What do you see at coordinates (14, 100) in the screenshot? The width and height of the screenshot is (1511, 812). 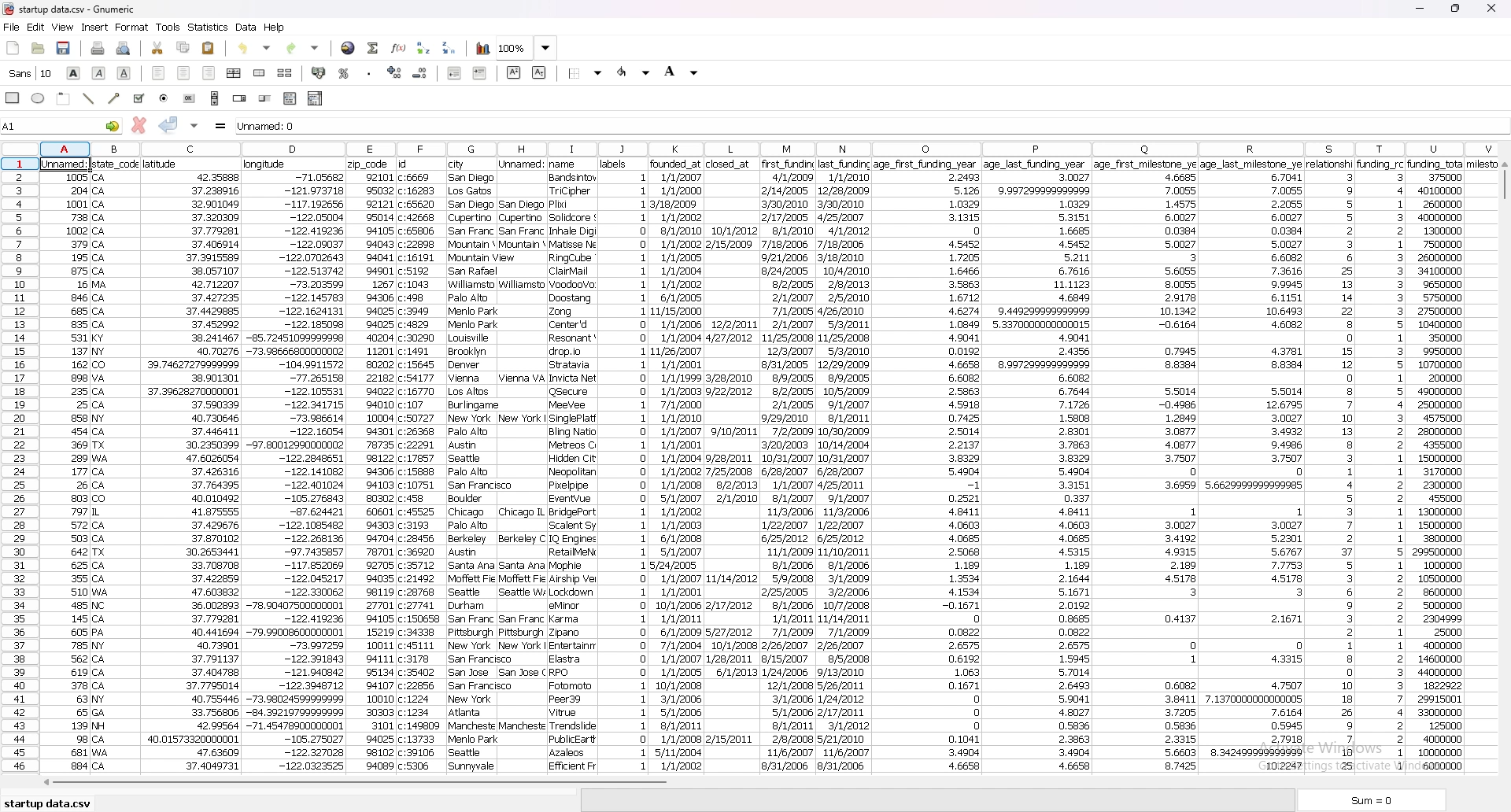 I see `frame` at bounding box center [14, 100].